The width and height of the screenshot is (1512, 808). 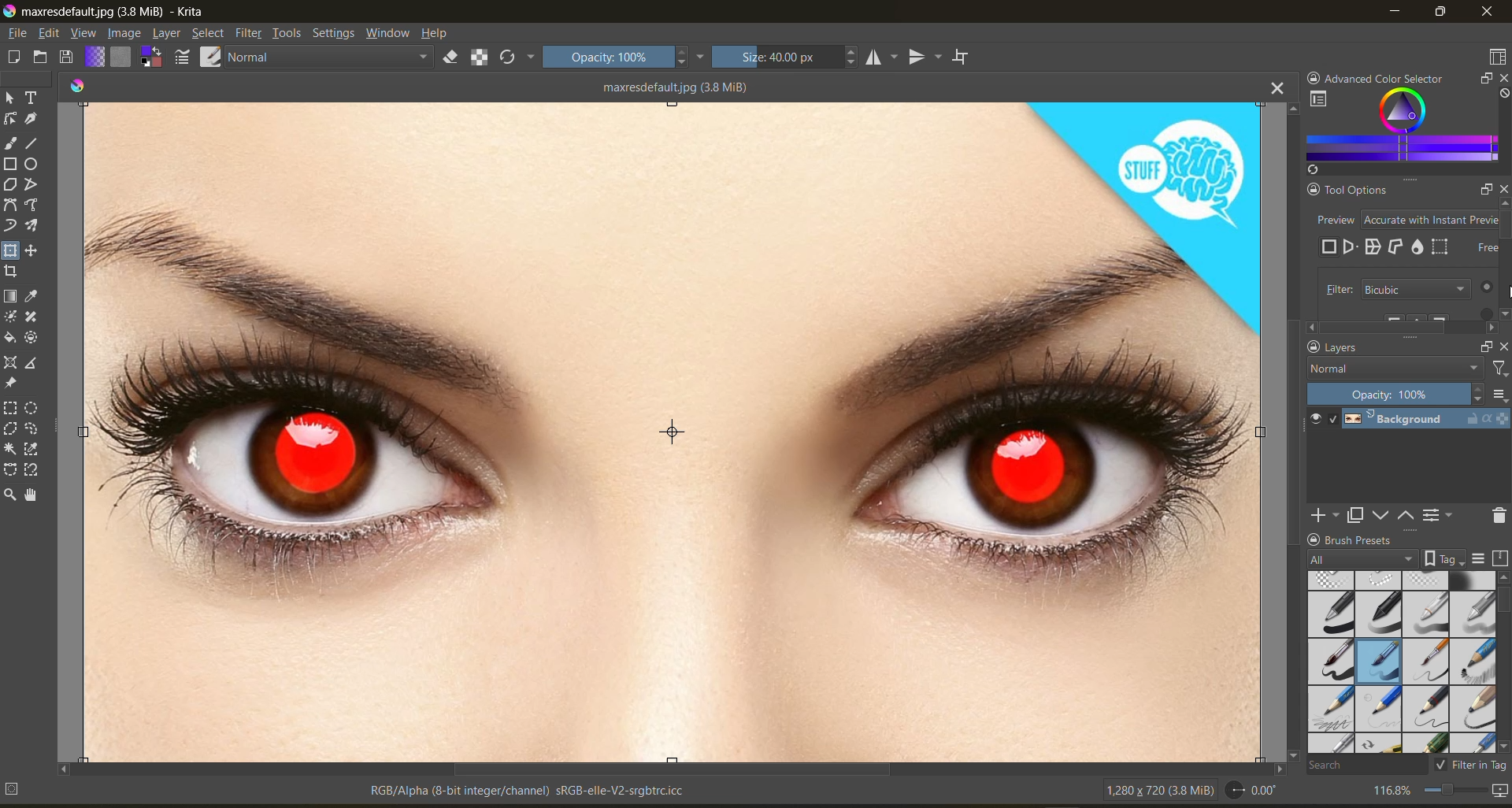 I want to click on tool, so click(x=9, y=468).